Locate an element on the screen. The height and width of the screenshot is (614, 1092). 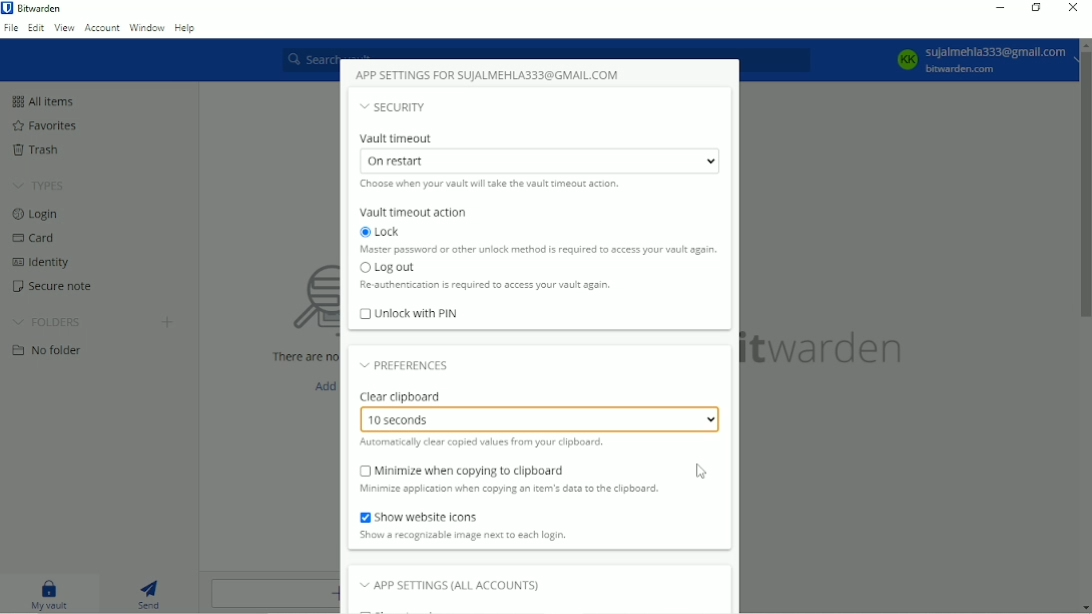
Secure note. is located at coordinates (63, 286).